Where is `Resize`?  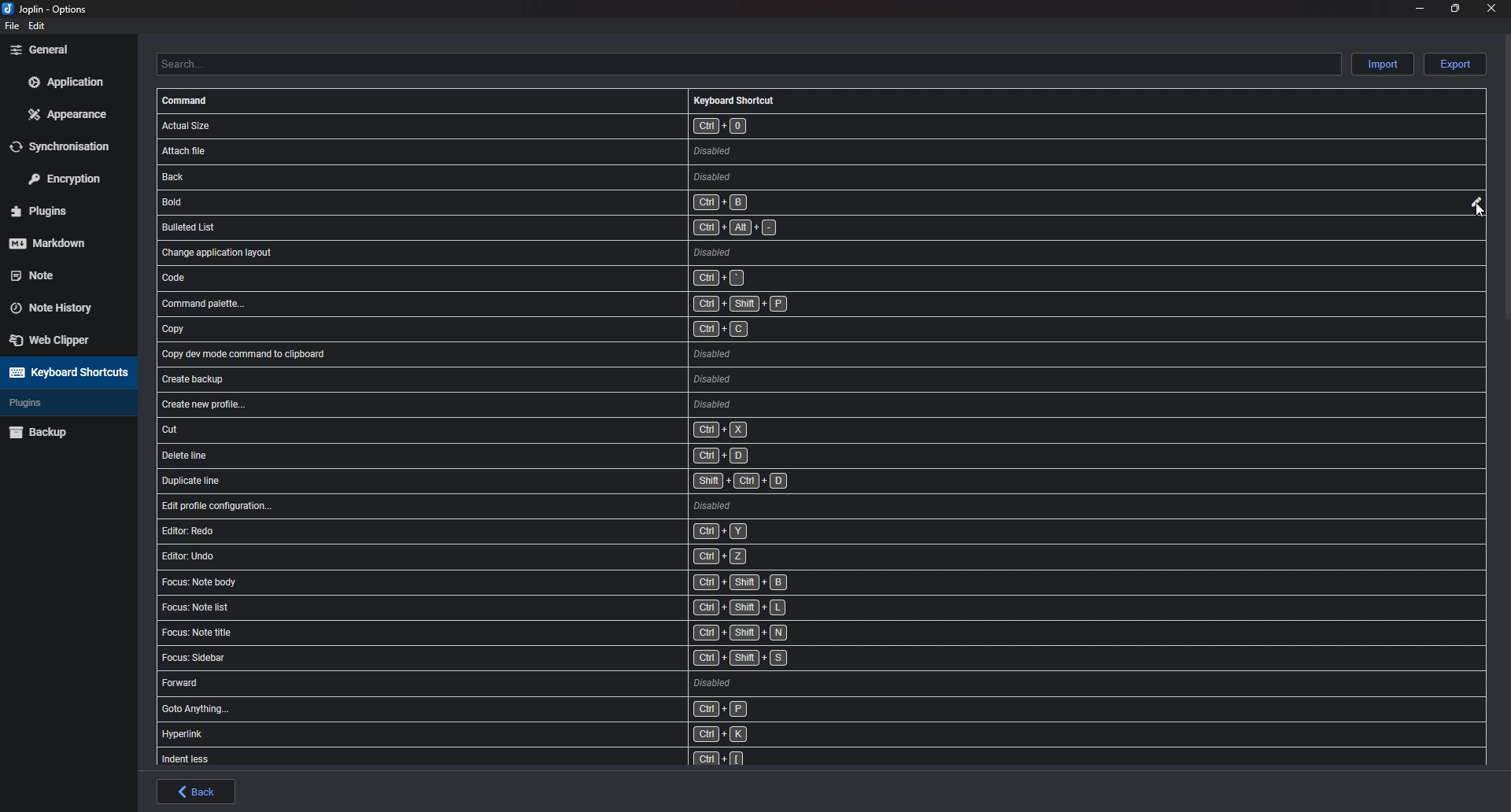
Resize is located at coordinates (1455, 8).